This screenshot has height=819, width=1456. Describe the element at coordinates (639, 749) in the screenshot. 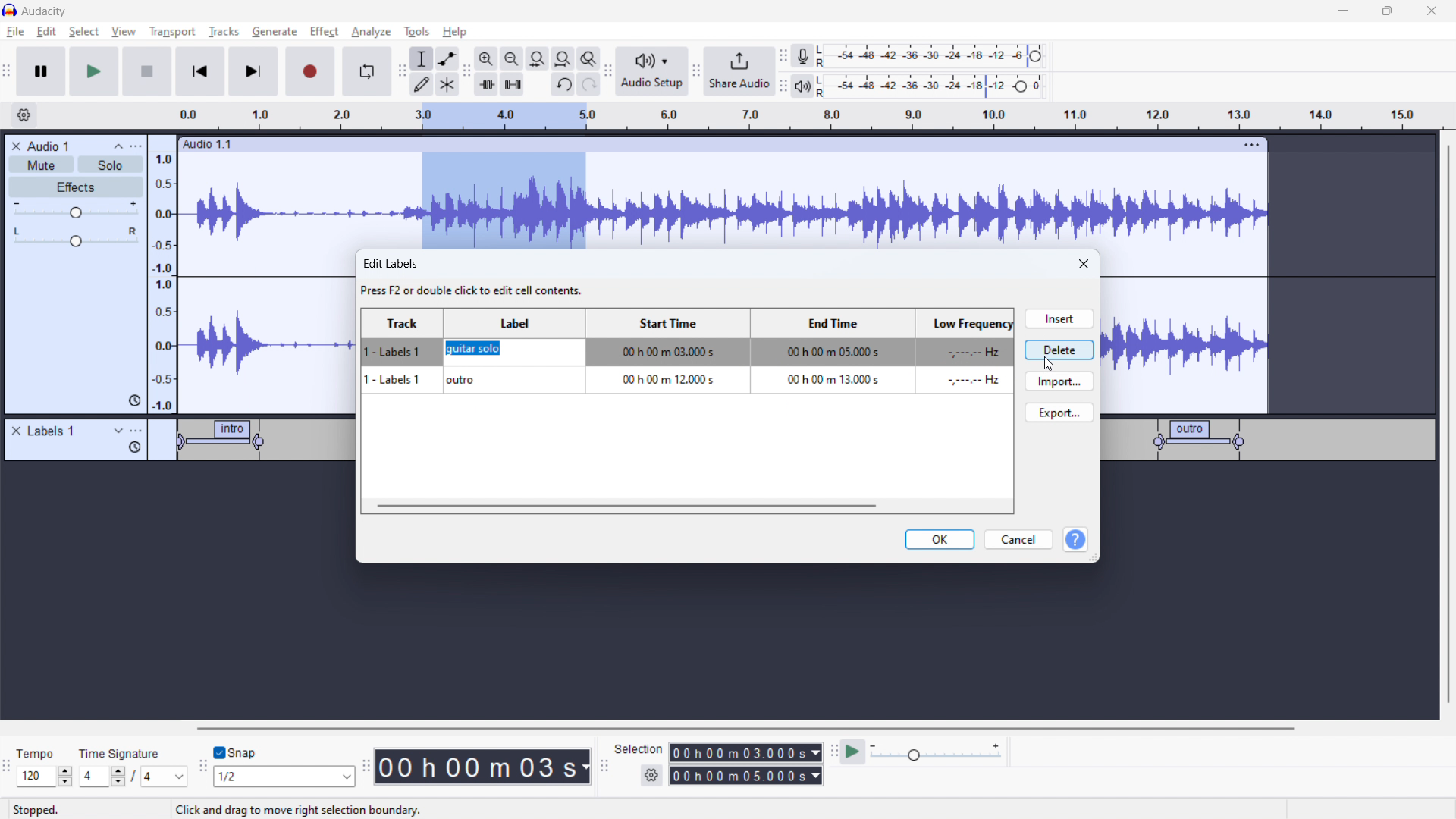

I see `selection` at that location.